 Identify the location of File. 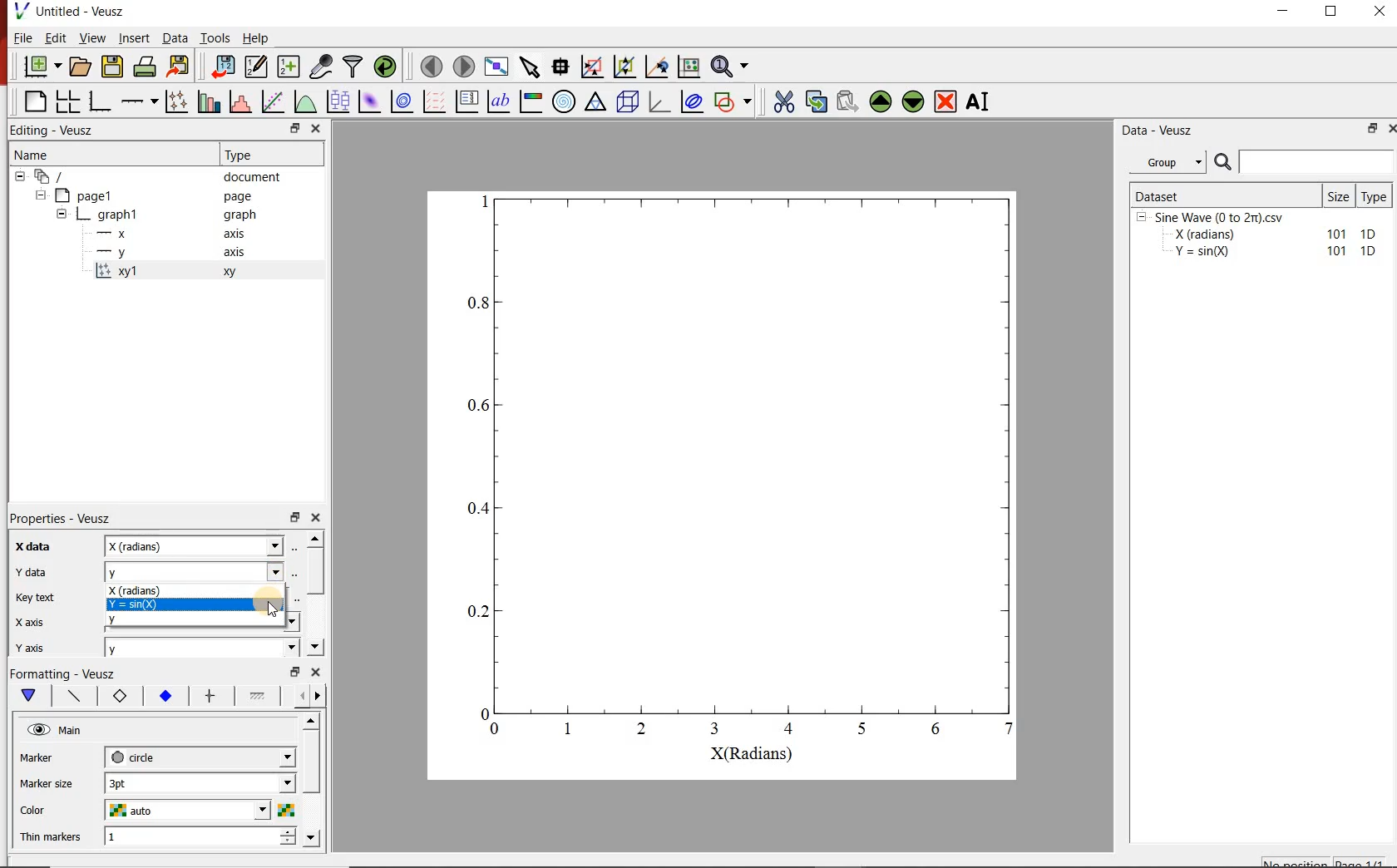
(23, 37).